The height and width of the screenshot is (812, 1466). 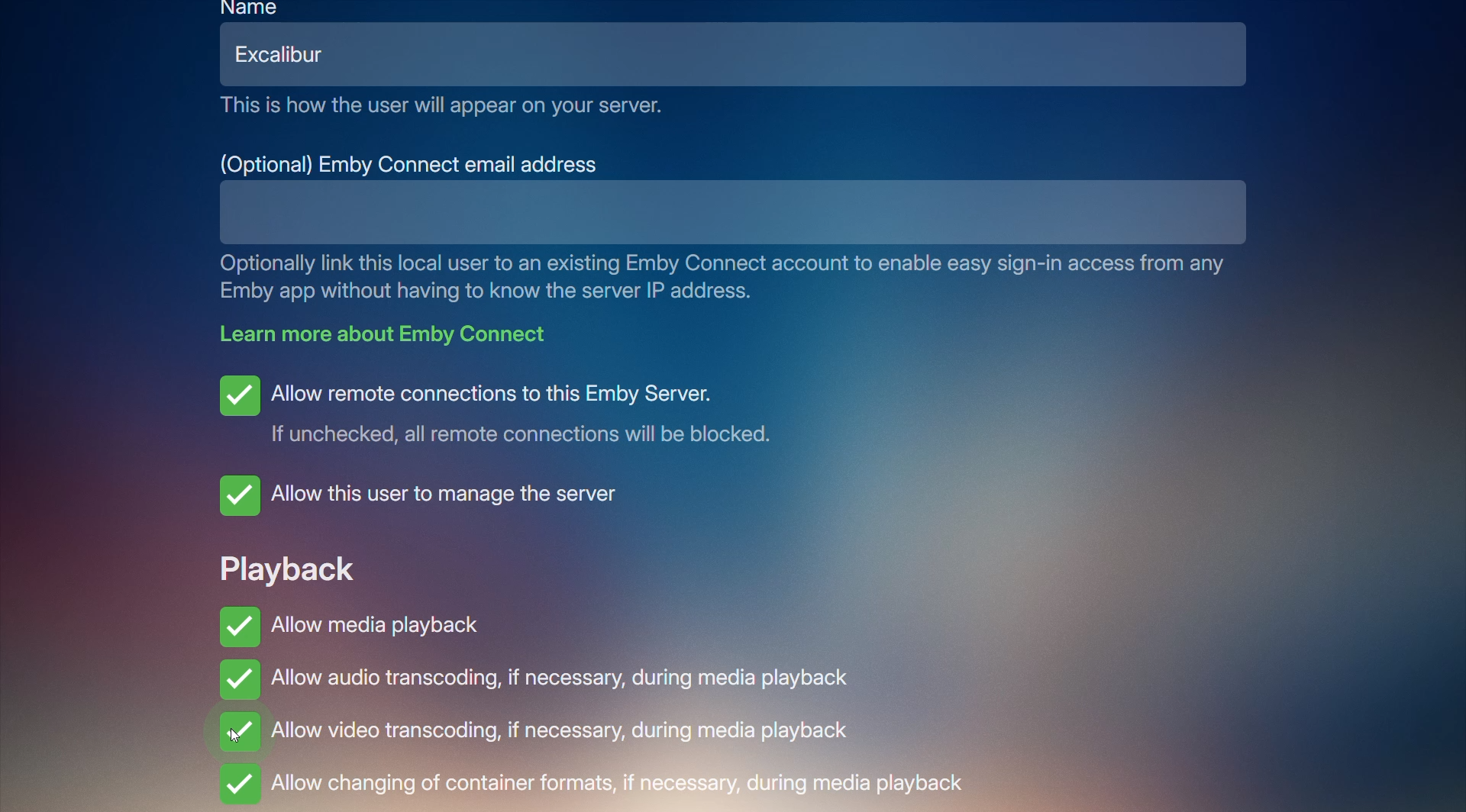 What do you see at coordinates (681, 212) in the screenshot?
I see `textbox` at bounding box center [681, 212].